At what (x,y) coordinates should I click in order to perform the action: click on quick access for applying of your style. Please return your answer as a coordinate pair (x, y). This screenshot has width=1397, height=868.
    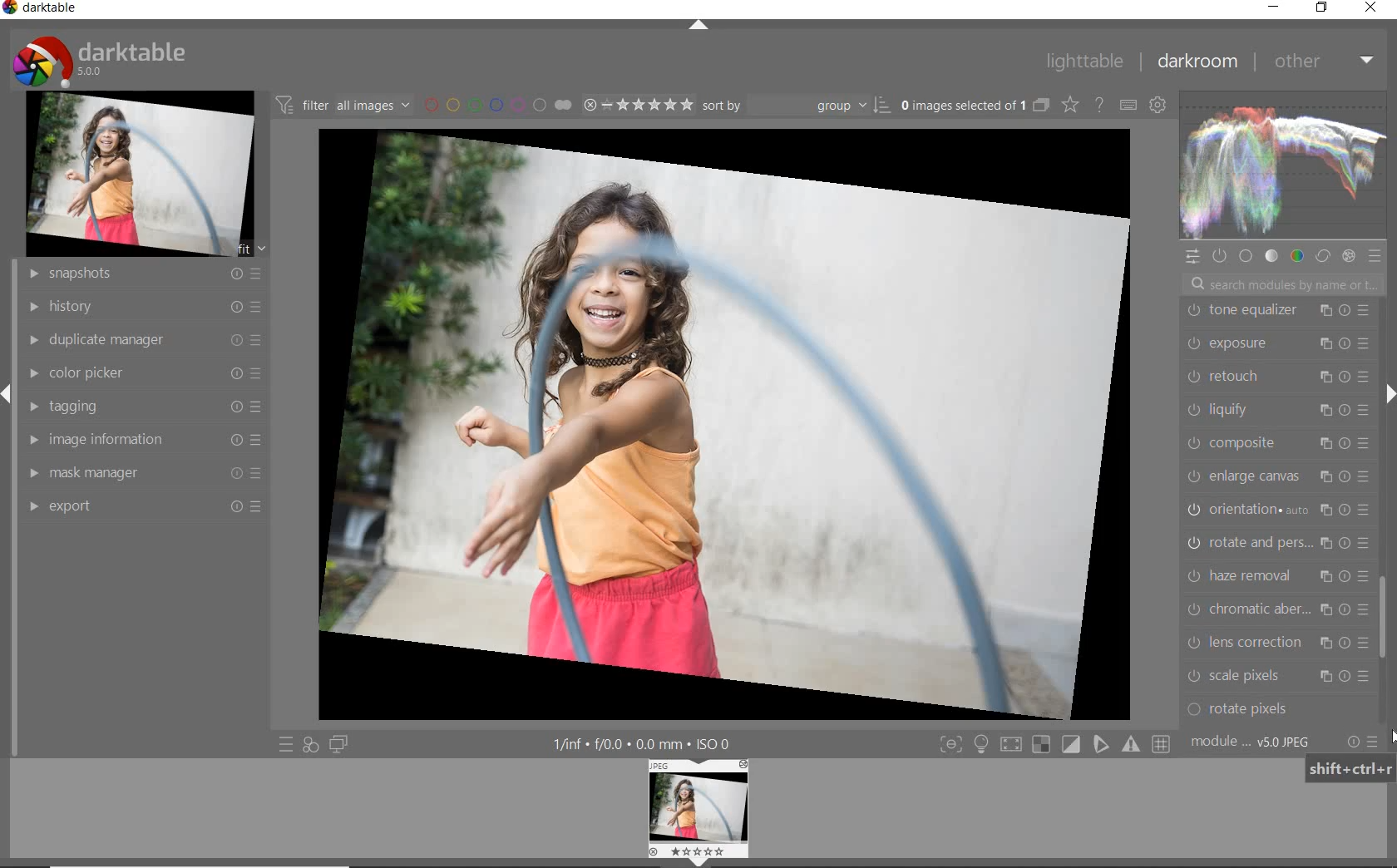
    Looking at the image, I should click on (309, 743).